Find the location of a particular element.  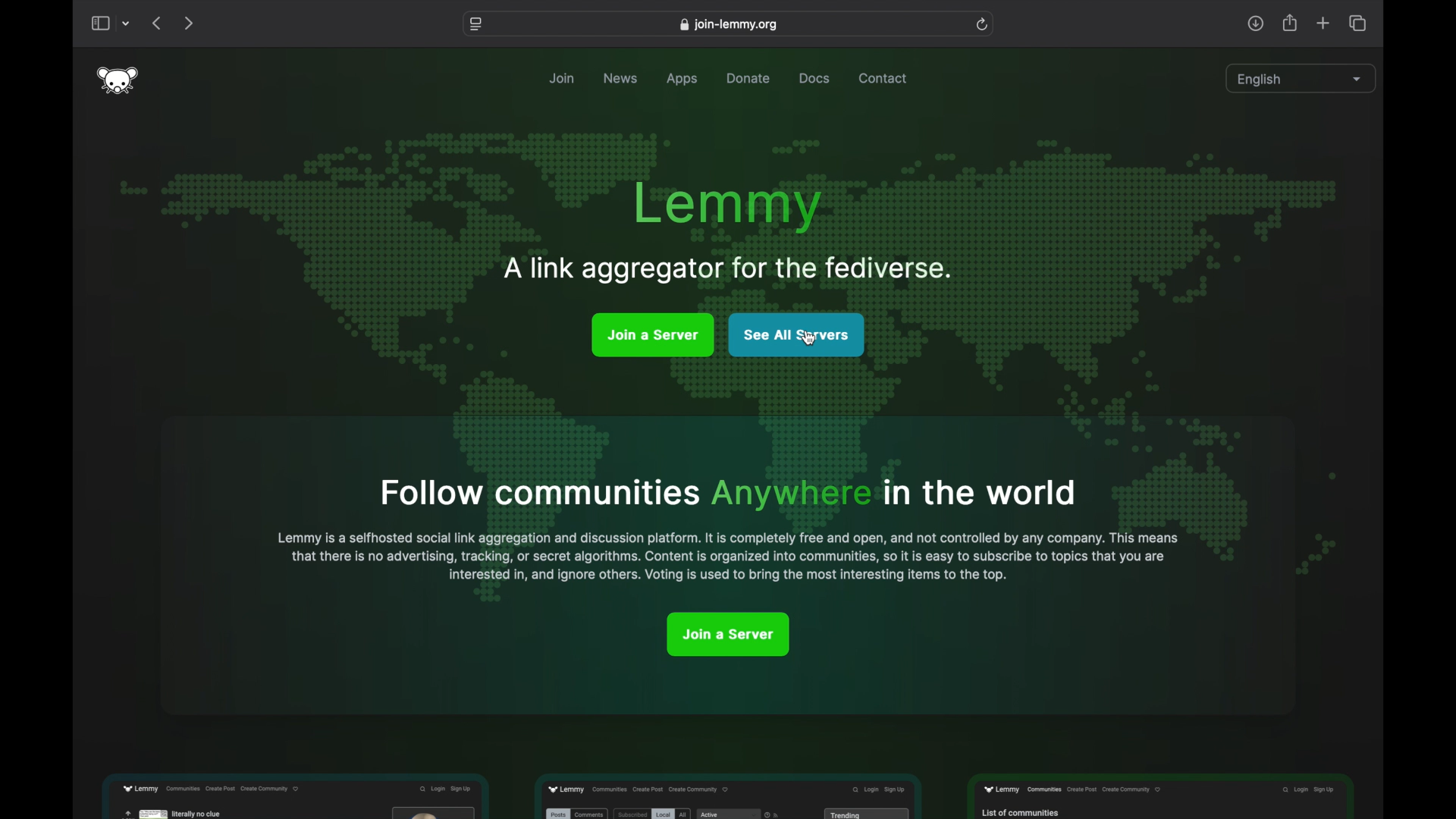

join is located at coordinates (564, 80).